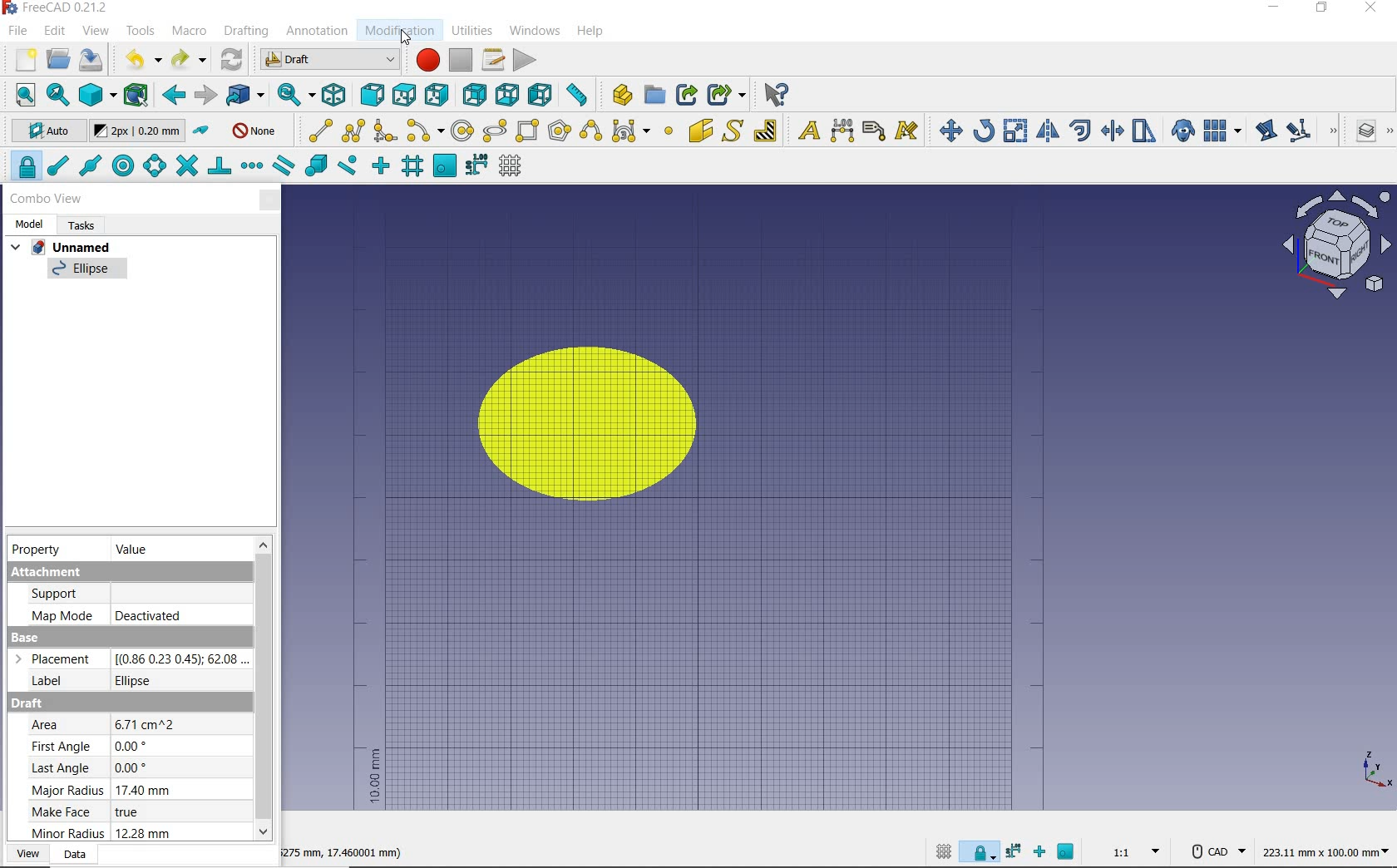 Image resolution: width=1397 pixels, height=868 pixels. Describe the element at coordinates (412, 165) in the screenshot. I see `snap grid` at that location.